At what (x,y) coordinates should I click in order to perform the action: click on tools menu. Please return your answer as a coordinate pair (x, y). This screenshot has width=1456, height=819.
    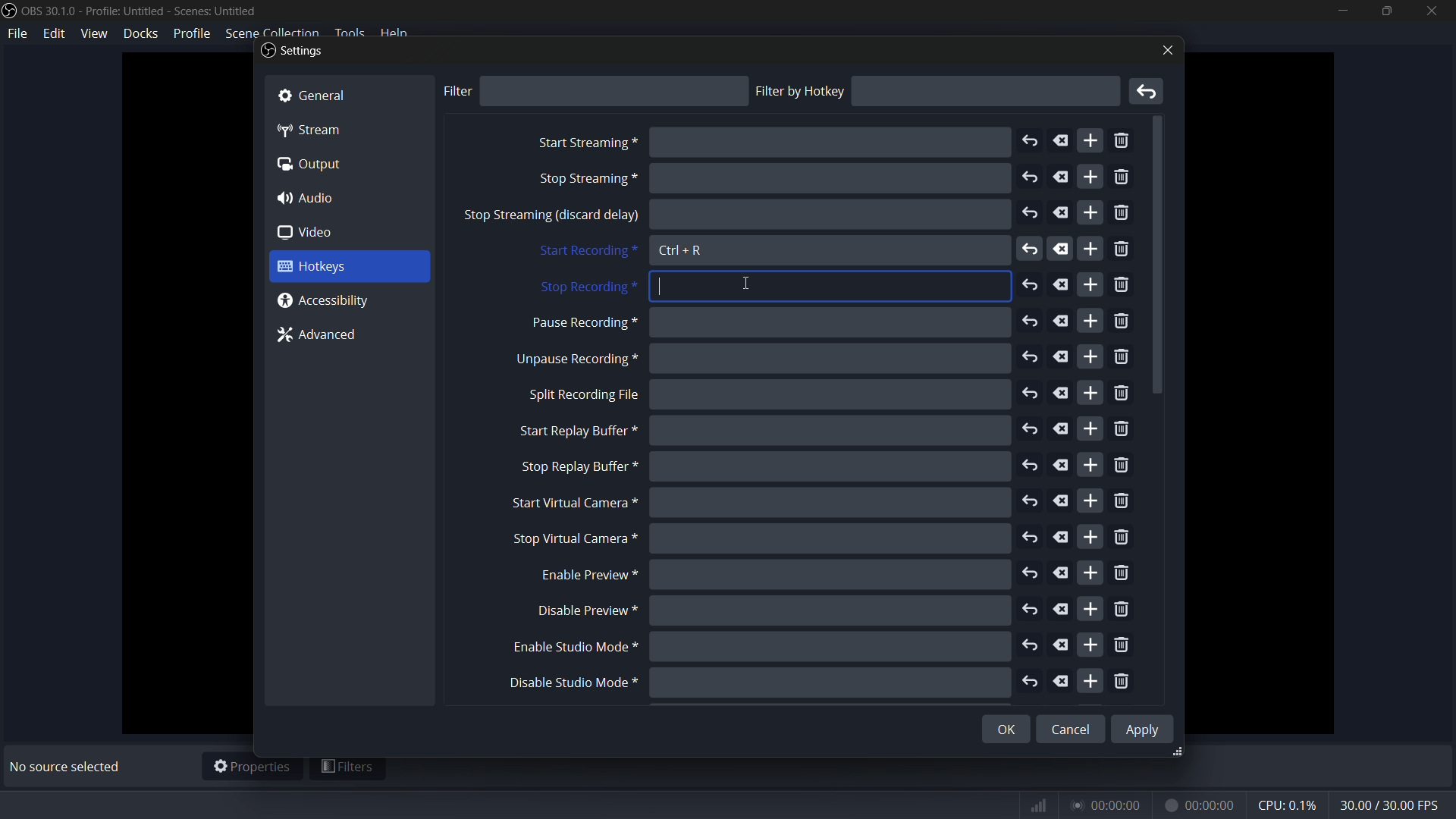
    Looking at the image, I should click on (349, 33).